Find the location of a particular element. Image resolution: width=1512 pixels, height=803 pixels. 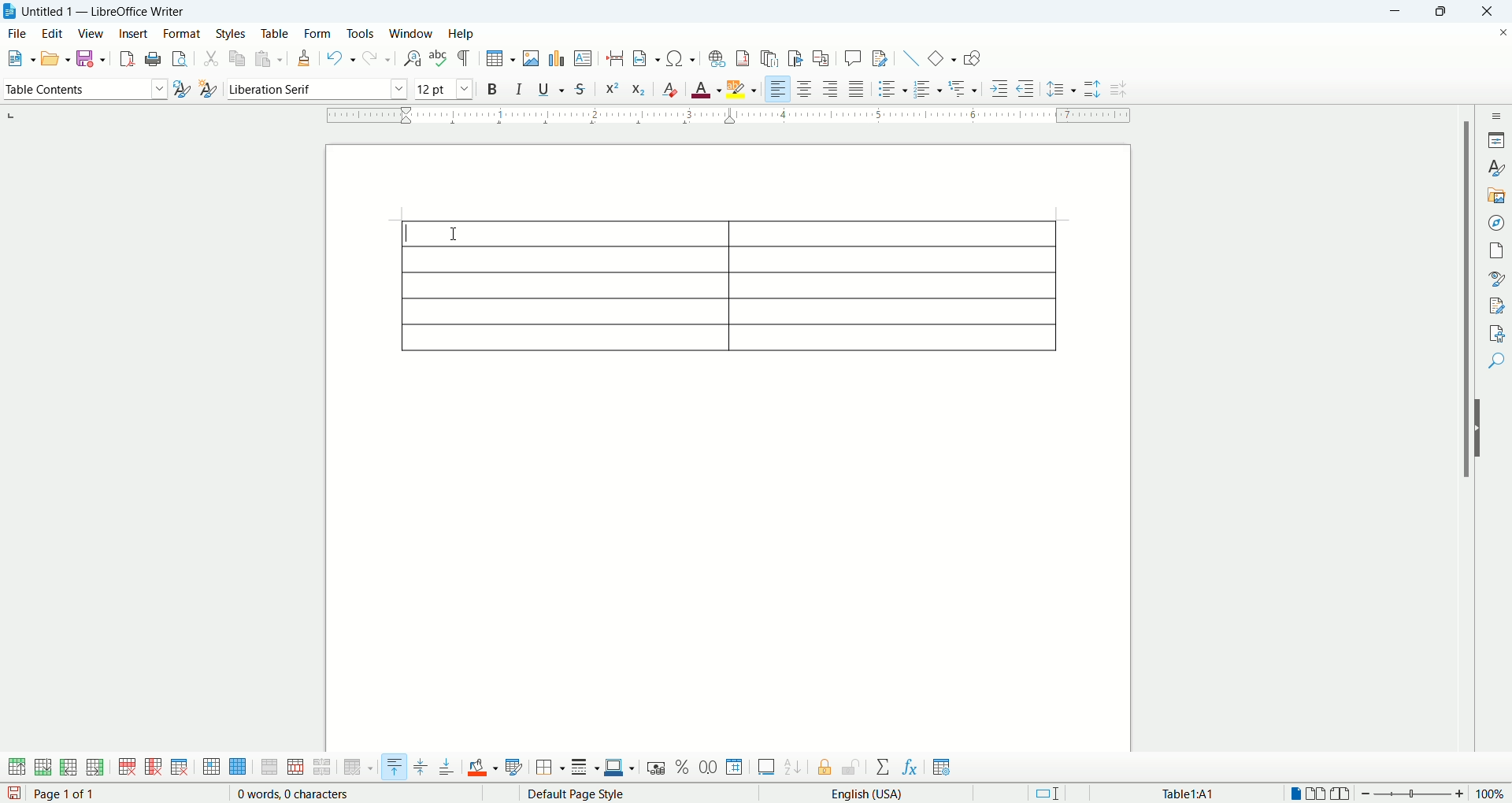

paste is located at coordinates (269, 58).